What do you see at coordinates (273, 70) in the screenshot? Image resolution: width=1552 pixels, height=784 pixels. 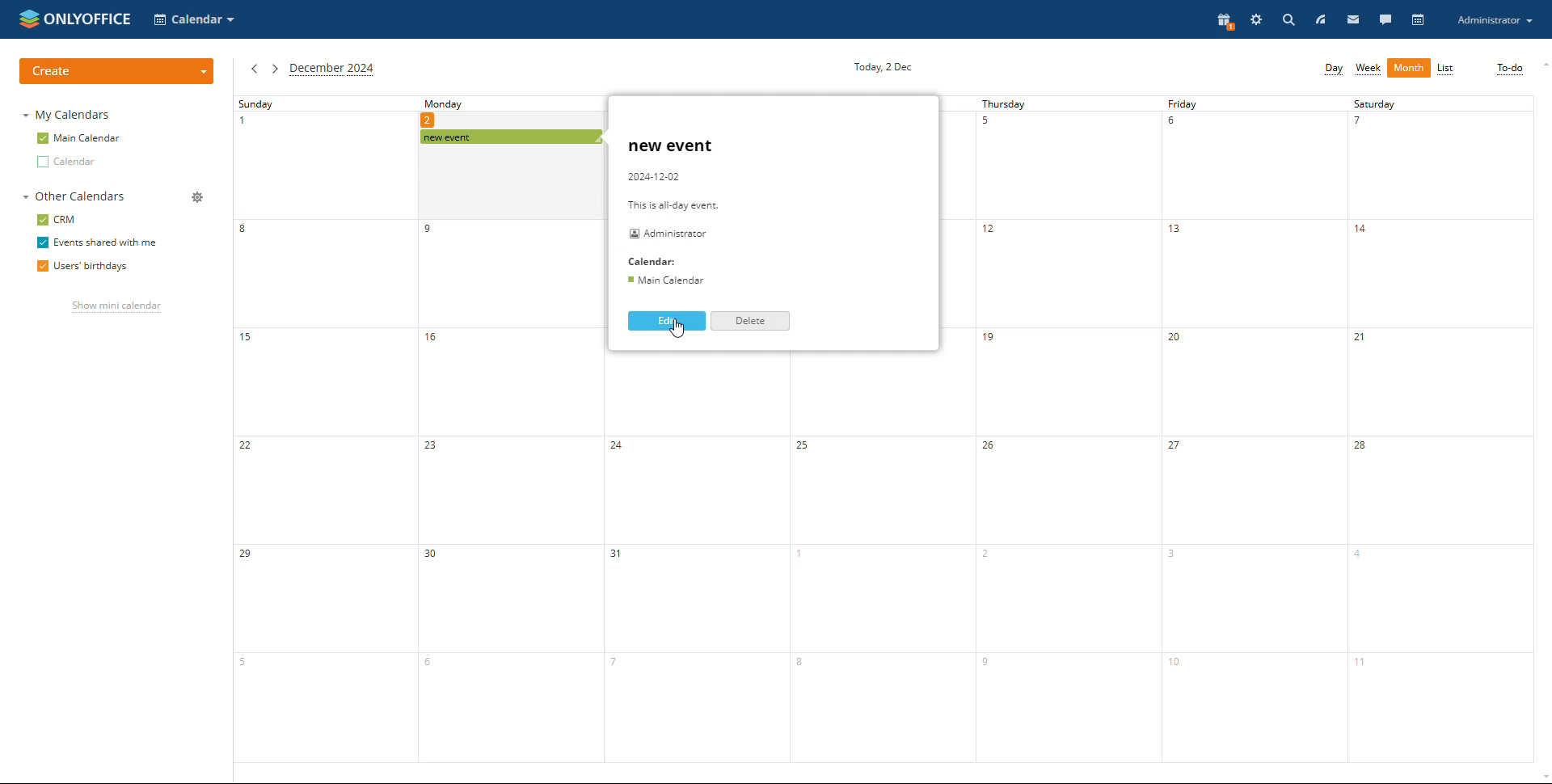 I see `next month` at bounding box center [273, 70].